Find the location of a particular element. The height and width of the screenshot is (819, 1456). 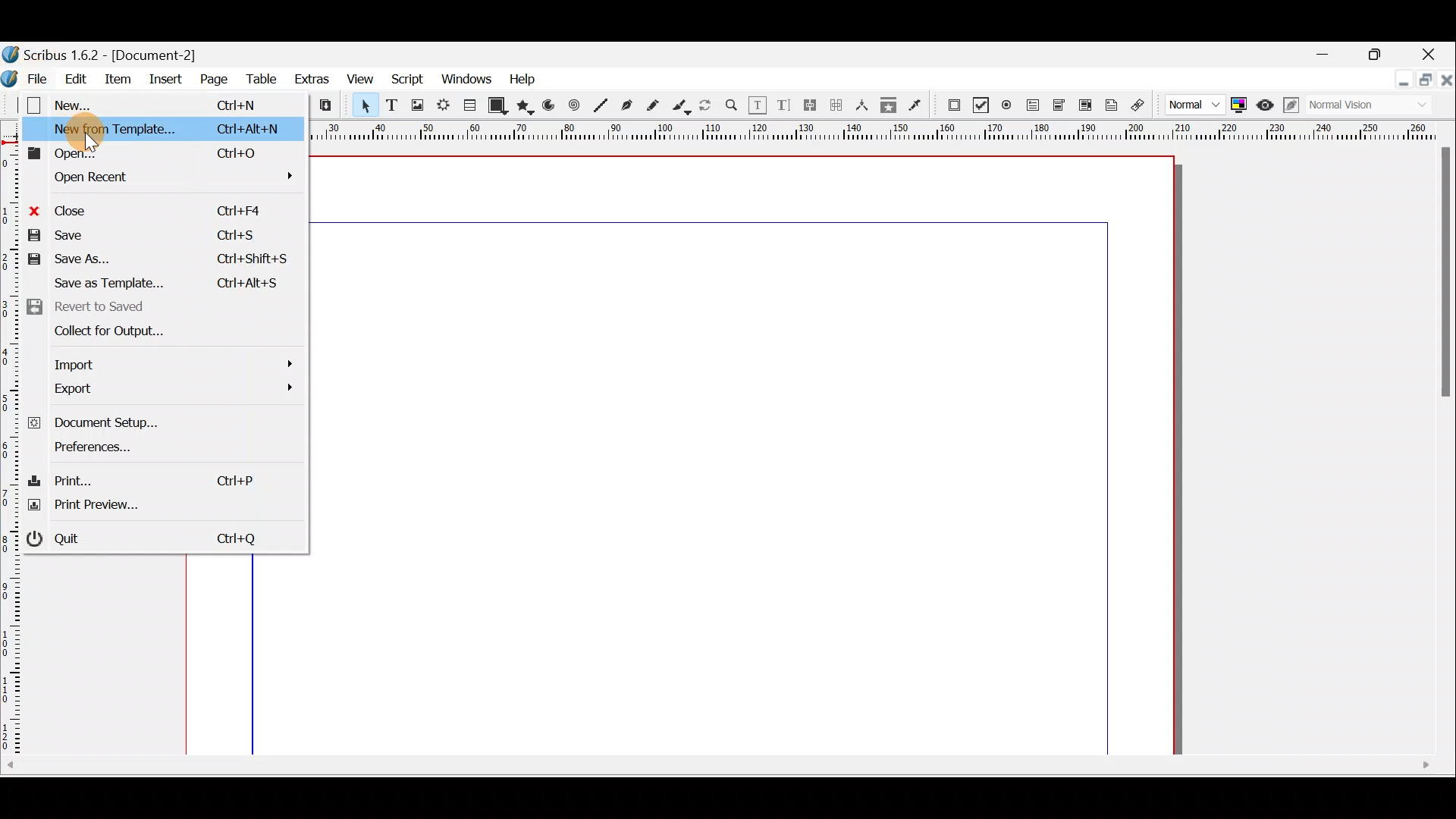

PDF Push button is located at coordinates (953, 105).